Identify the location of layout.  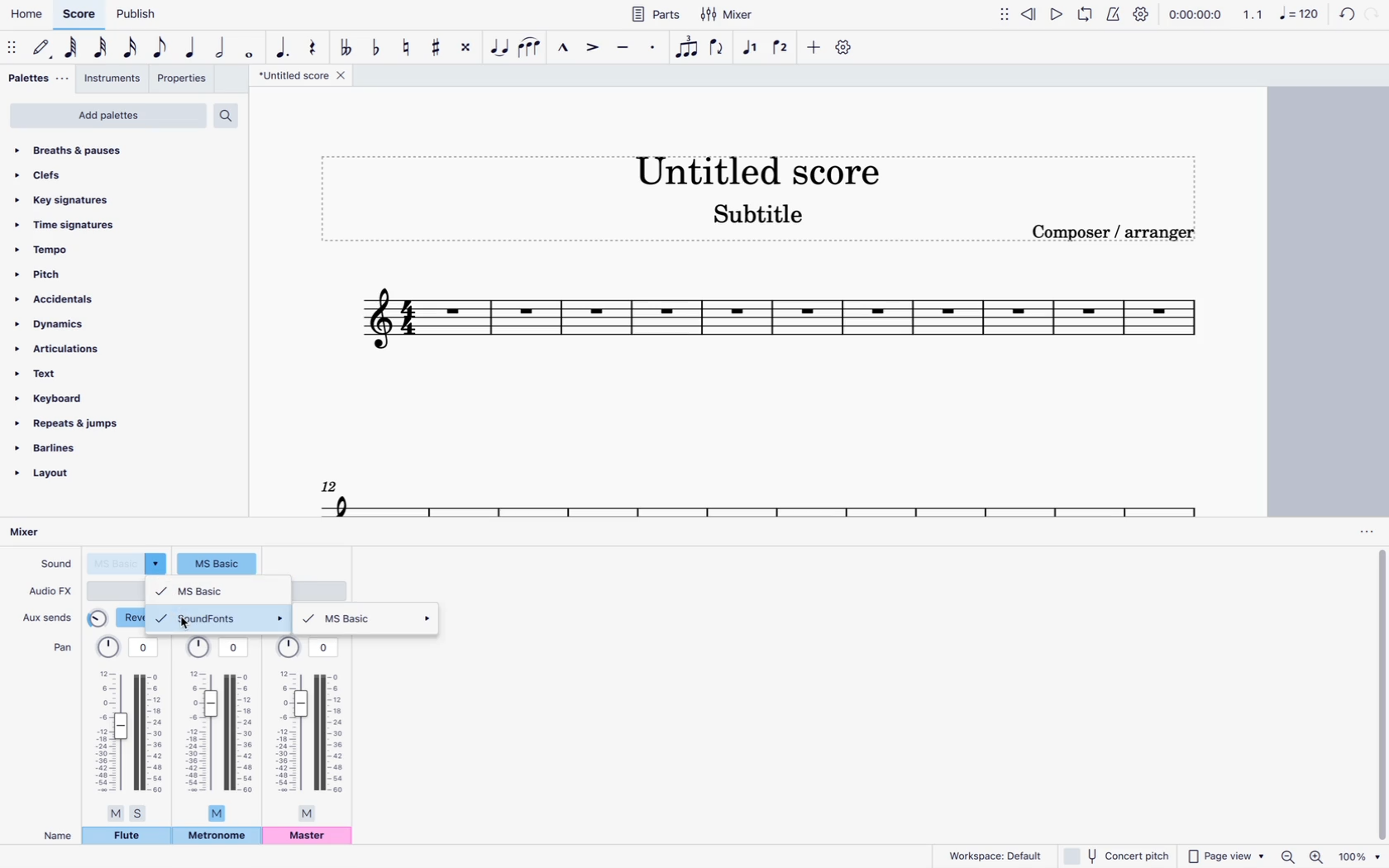
(63, 479).